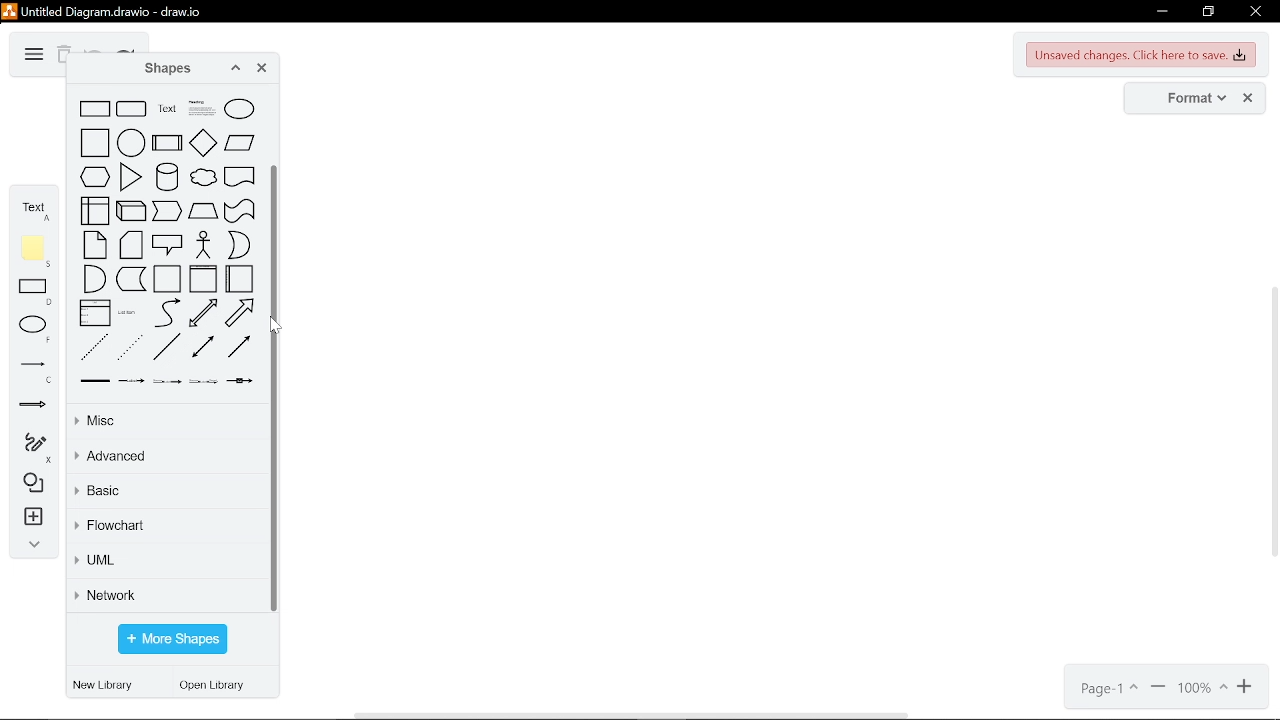  What do you see at coordinates (203, 381) in the screenshot?
I see `connector with 3 labels` at bounding box center [203, 381].